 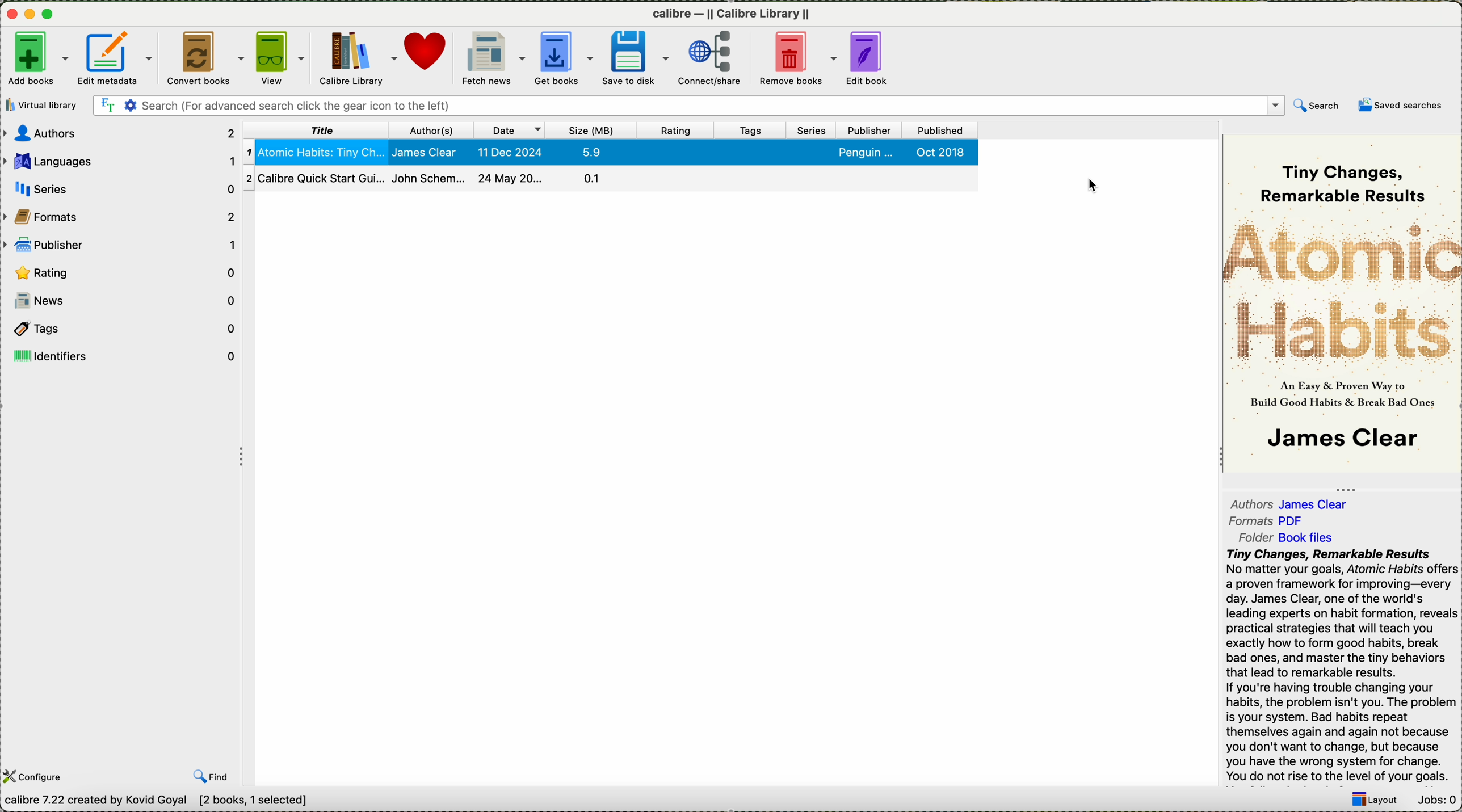 What do you see at coordinates (430, 59) in the screenshot?
I see `donate` at bounding box center [430, 59].